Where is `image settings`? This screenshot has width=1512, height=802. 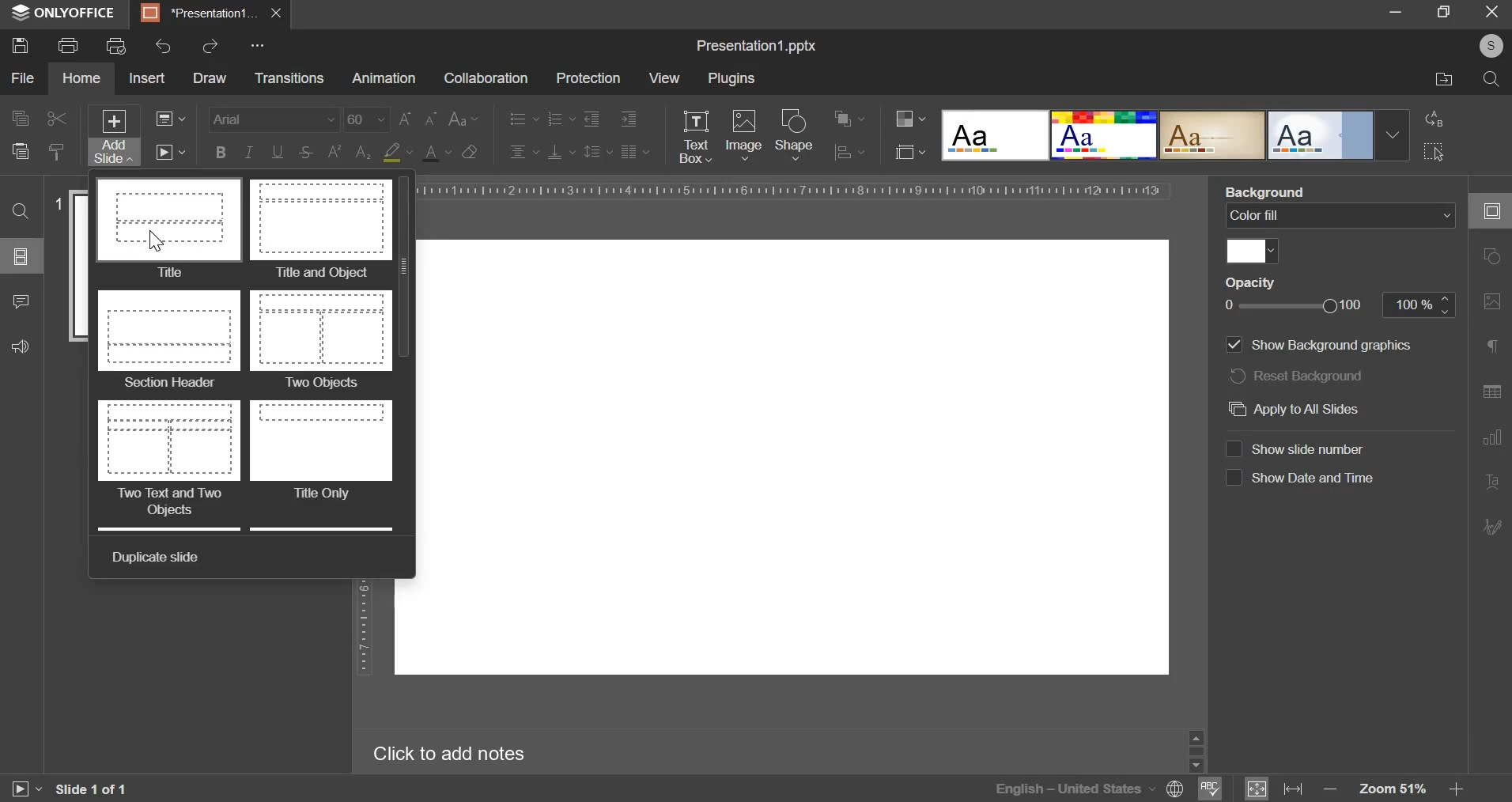 image settings is located at coordinates (1495, 302).